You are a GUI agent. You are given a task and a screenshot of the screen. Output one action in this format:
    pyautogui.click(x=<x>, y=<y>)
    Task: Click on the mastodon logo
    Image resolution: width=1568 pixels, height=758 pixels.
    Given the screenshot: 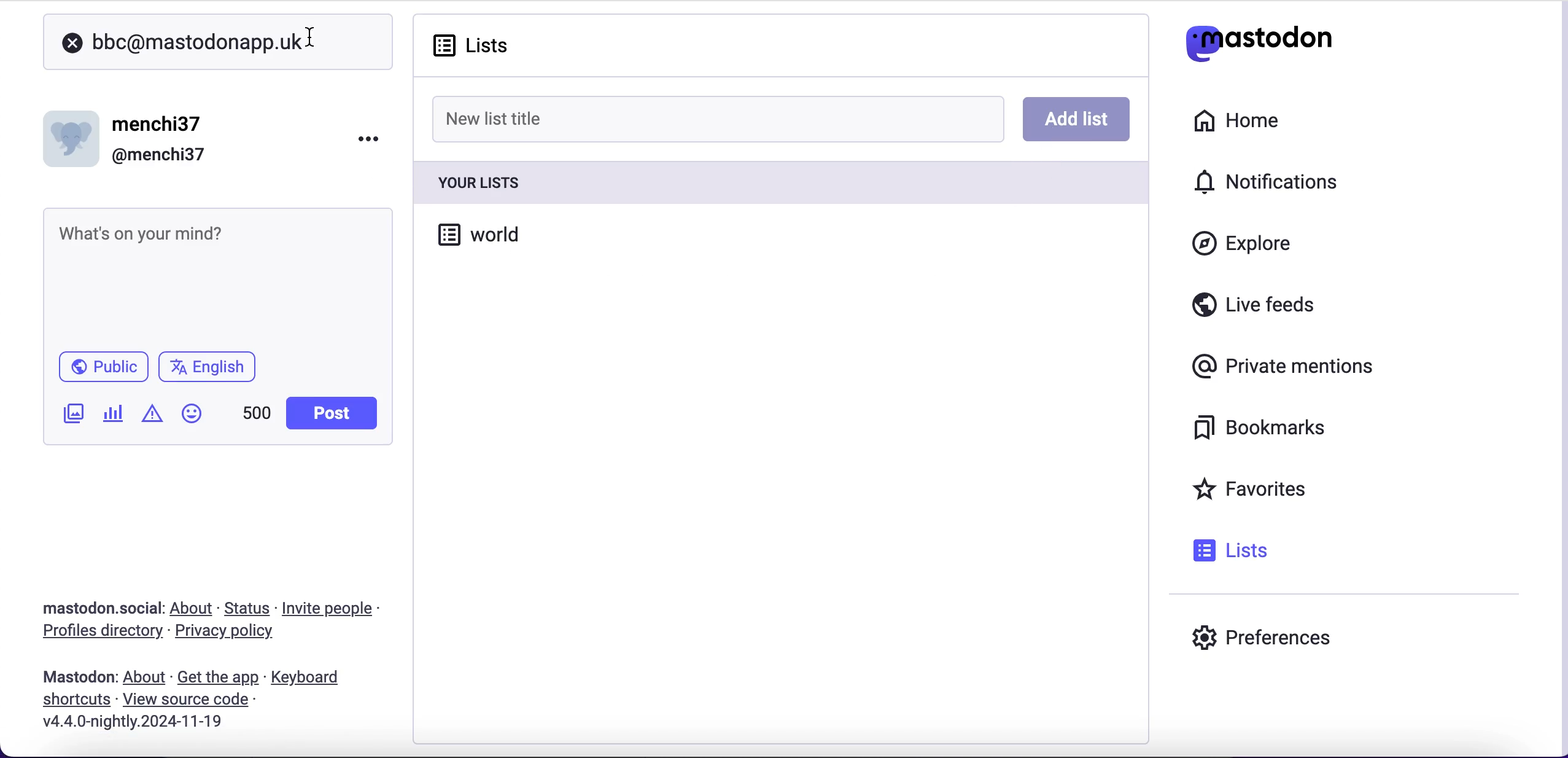 What is the action you would take?
    pyautogui.click(x=1259, y=40)
    